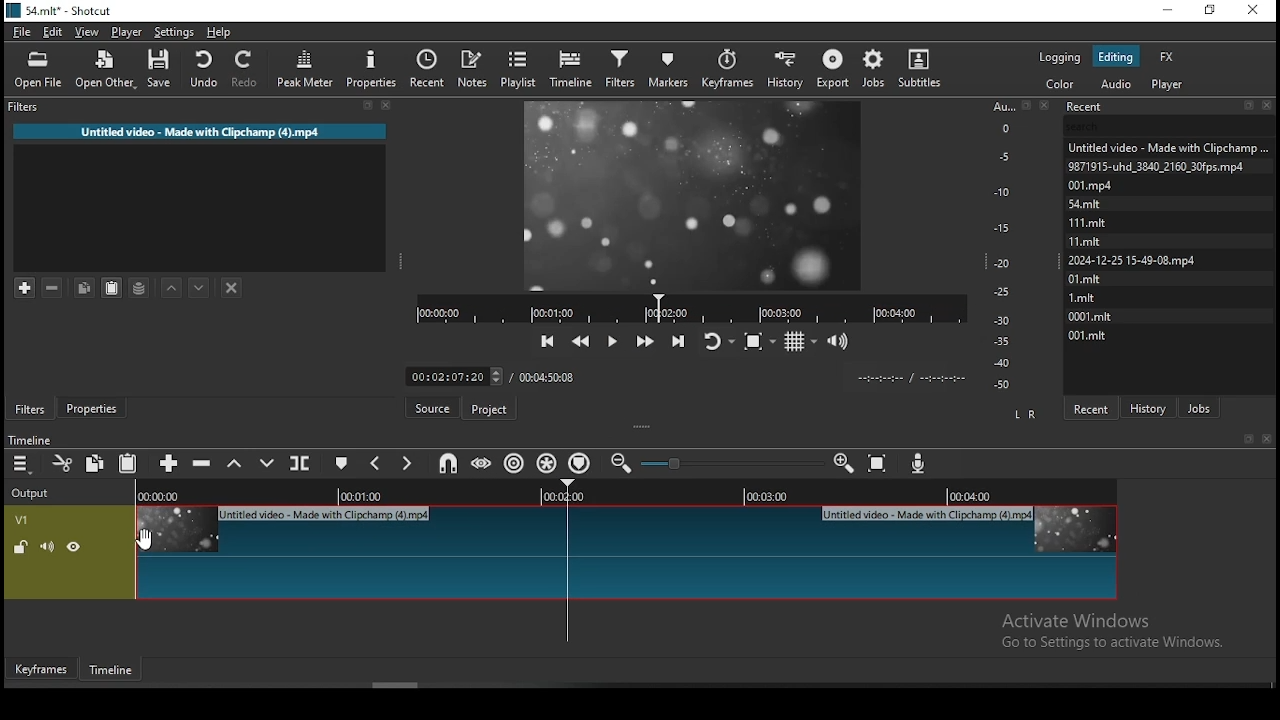  What do you see at coordinates (843, 466) in the screenshot?
I see `zoom timeline out` at bounding box center [843, 466].